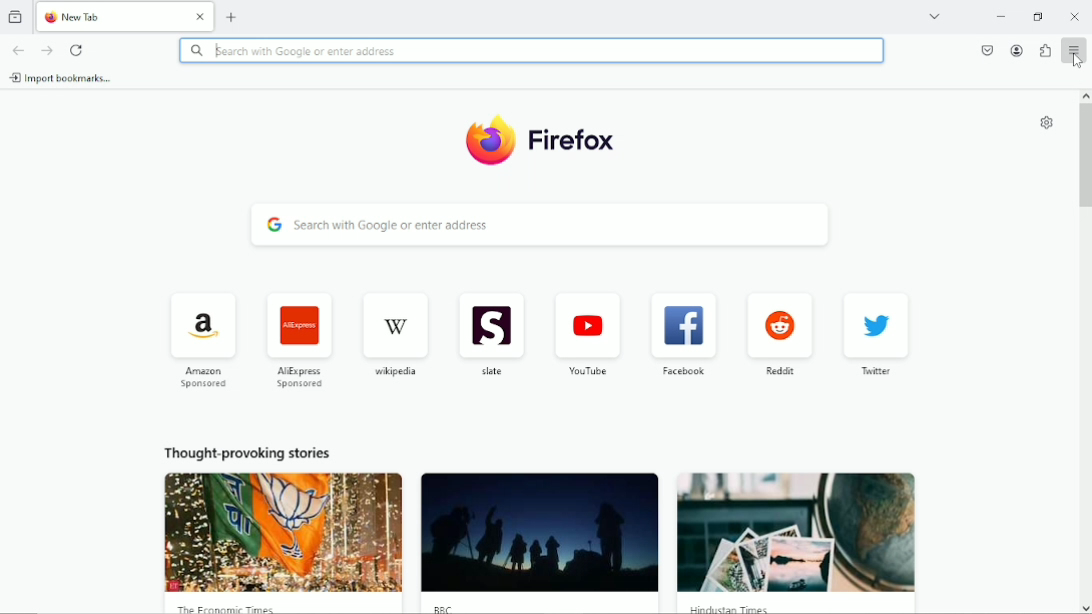  What do you see at coordinates (232, 15) in the screenshot?
I see `new tab` at bounding box center [232, 15].